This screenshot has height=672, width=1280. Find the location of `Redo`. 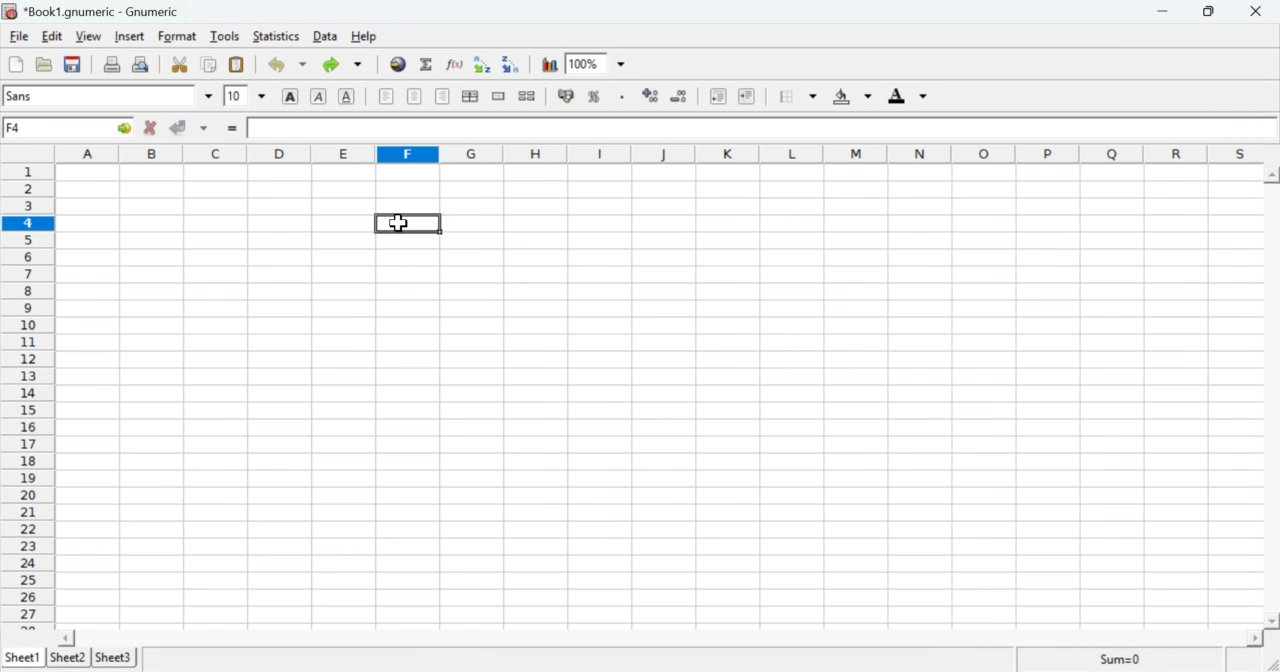

Redo is located at coordinates (341, 66).